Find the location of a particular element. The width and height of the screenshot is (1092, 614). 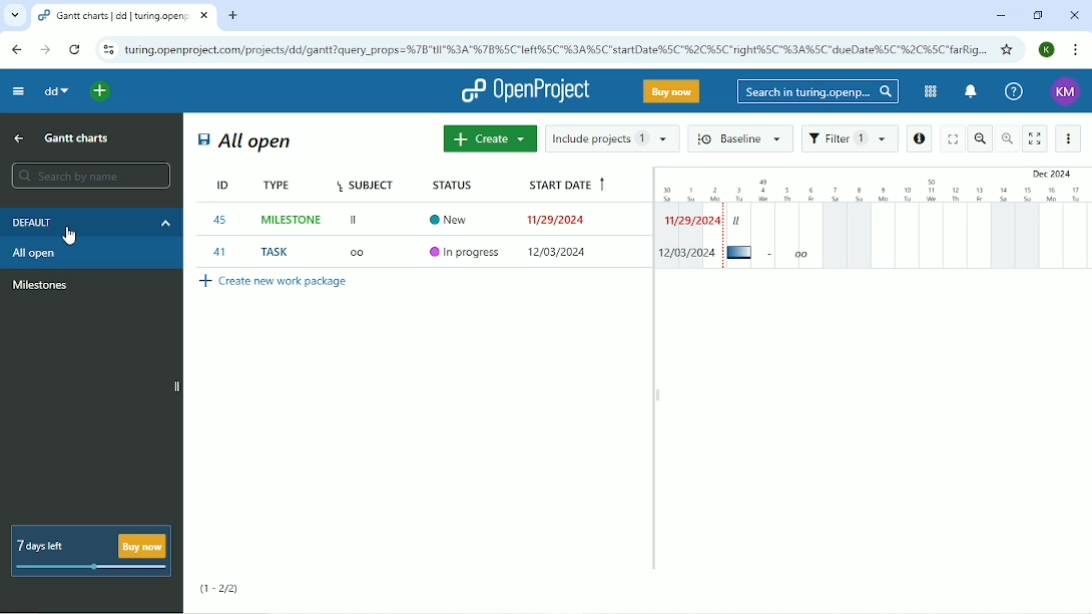

Close is located at coordinates (1074, 15).